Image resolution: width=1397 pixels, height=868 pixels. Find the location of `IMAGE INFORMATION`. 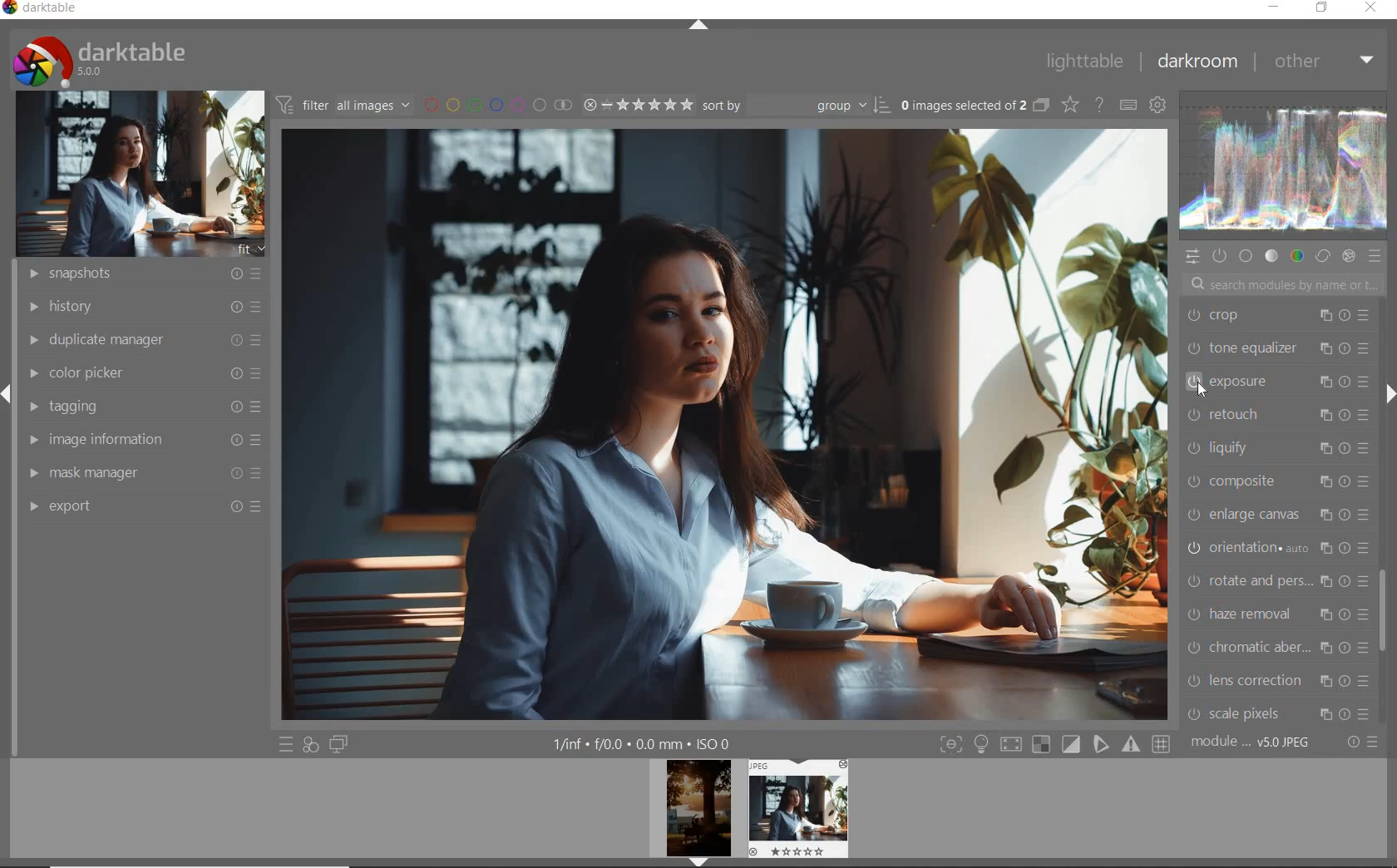

IMAGE INFORMATION is located at coordinates (141, 440).